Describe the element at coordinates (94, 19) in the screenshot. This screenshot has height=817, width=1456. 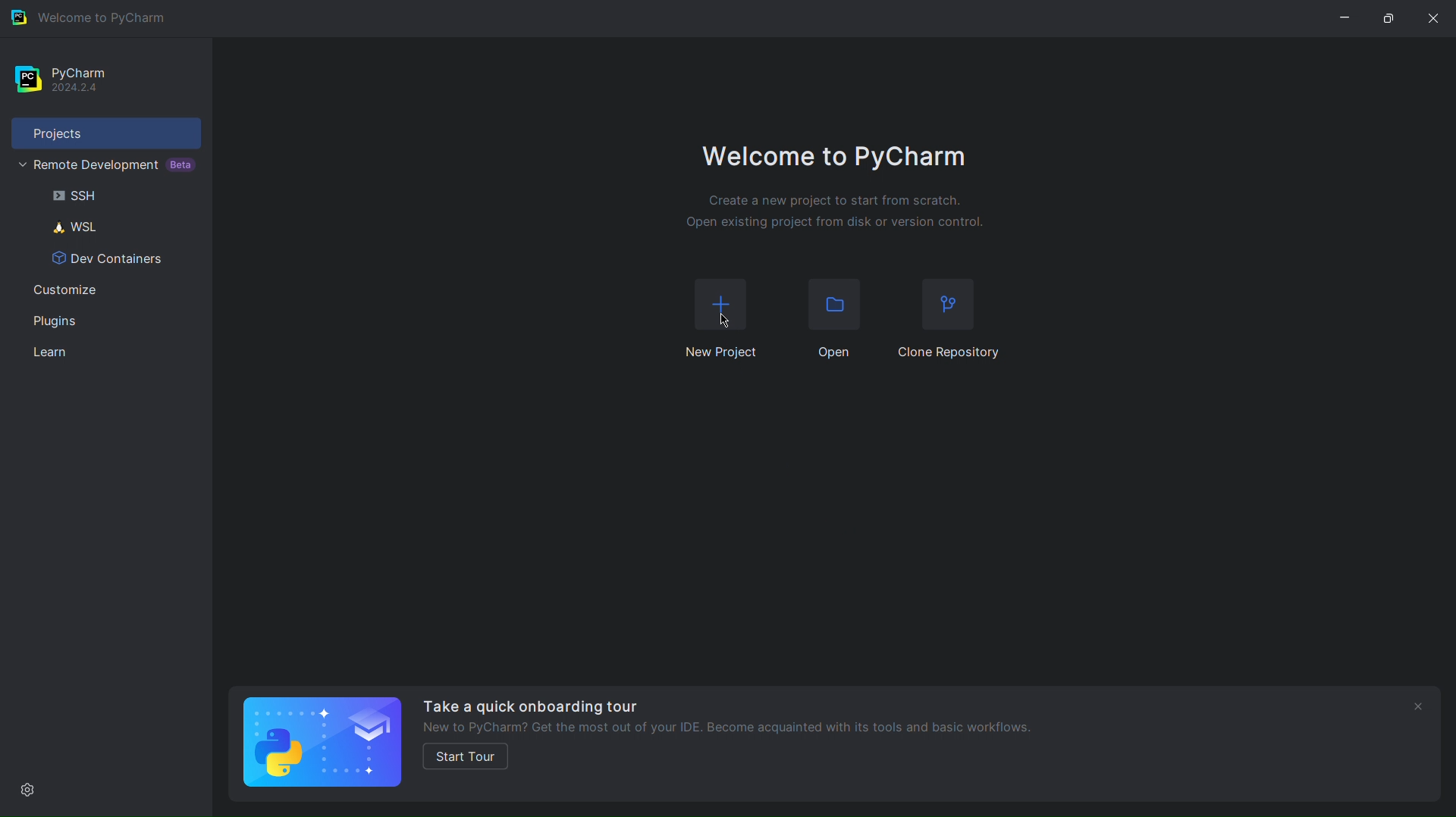
I see `Welcome to PyCharm` at that location.